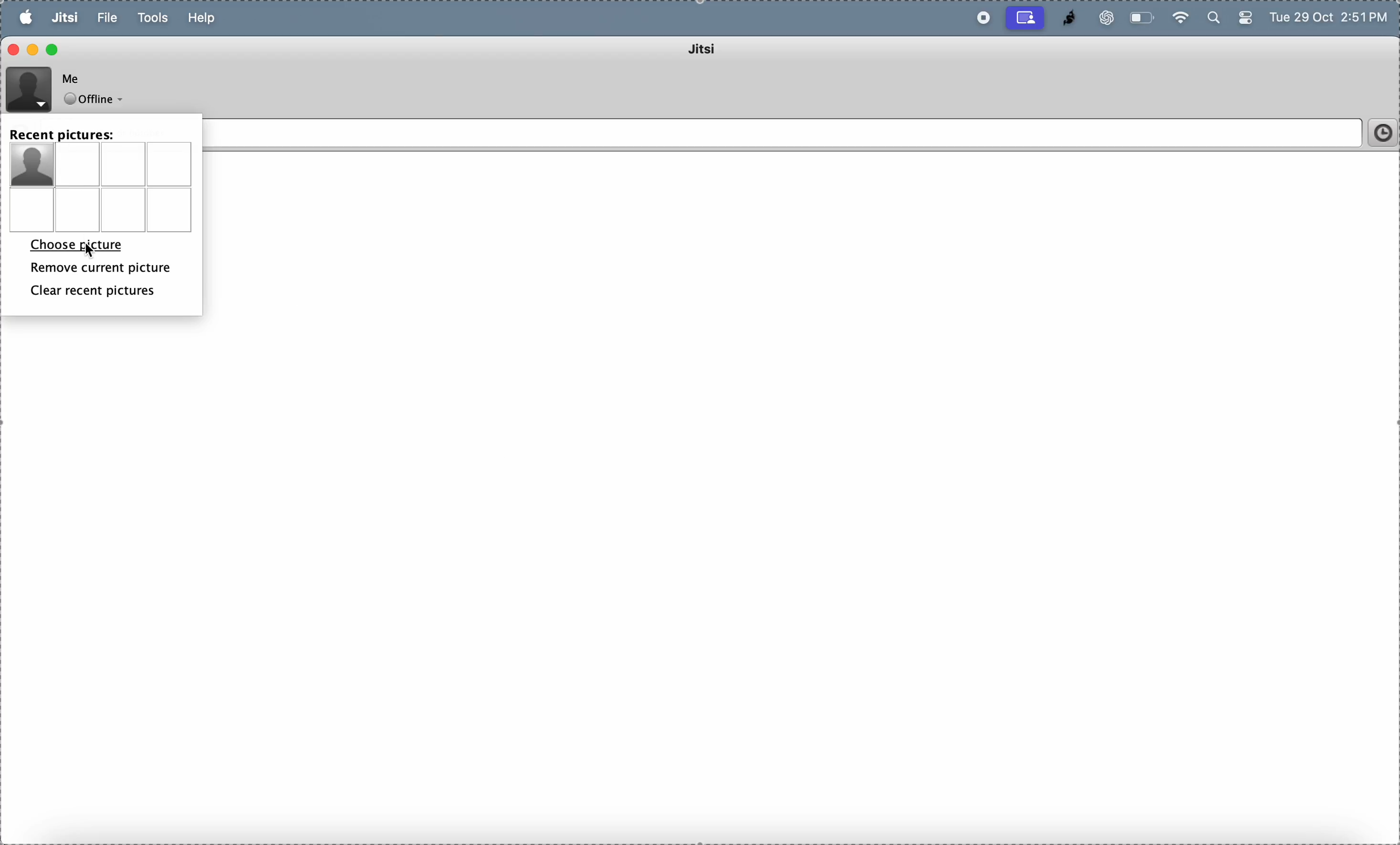 The width and height of the screenshot is (1400, 845). Describe the element at coordinates (1026, 18) in the screenshot. I see `cast` at that location.